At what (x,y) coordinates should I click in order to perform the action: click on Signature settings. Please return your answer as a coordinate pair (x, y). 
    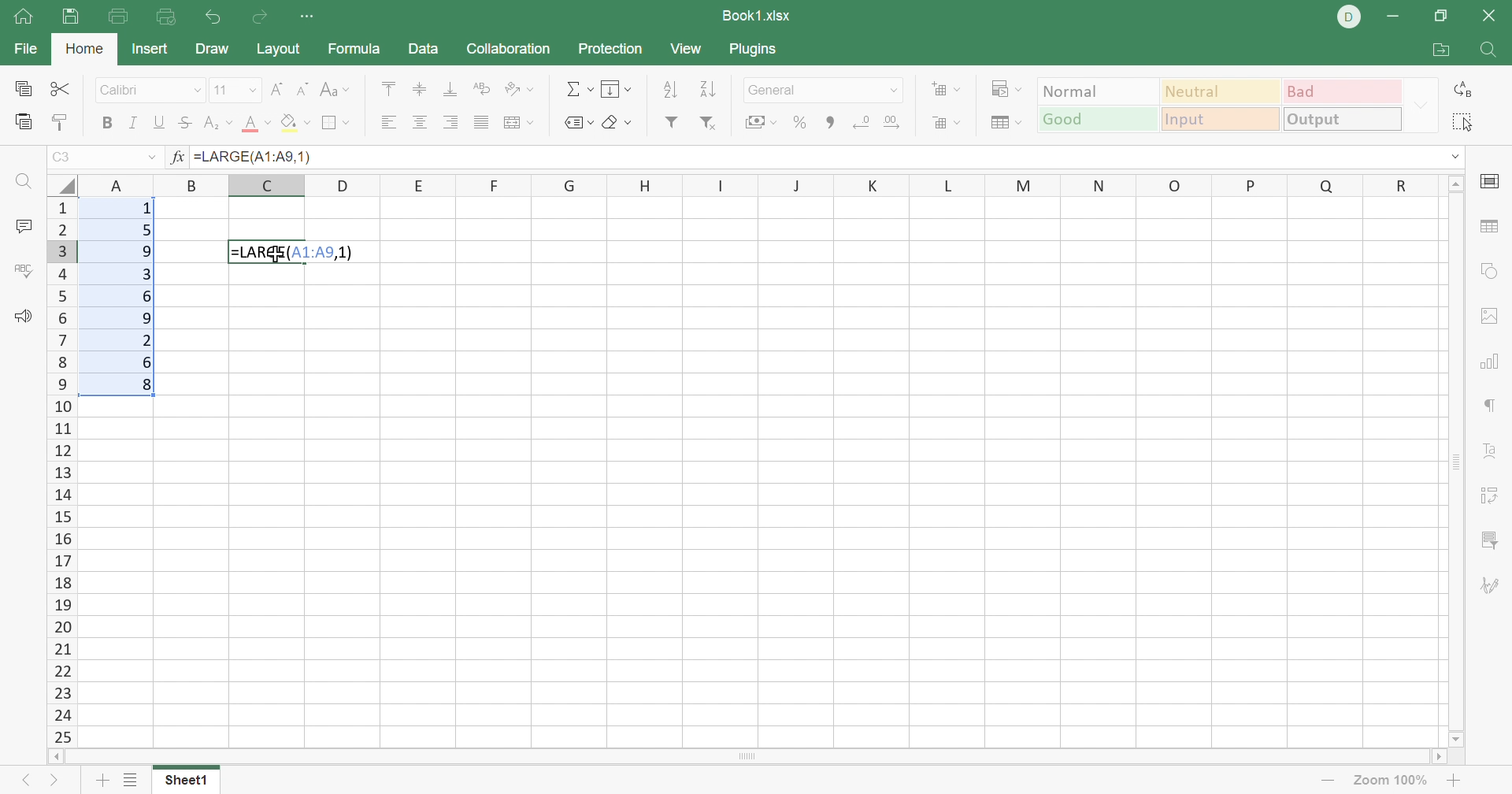
    Looking at the image, I should click on (1491, 584).